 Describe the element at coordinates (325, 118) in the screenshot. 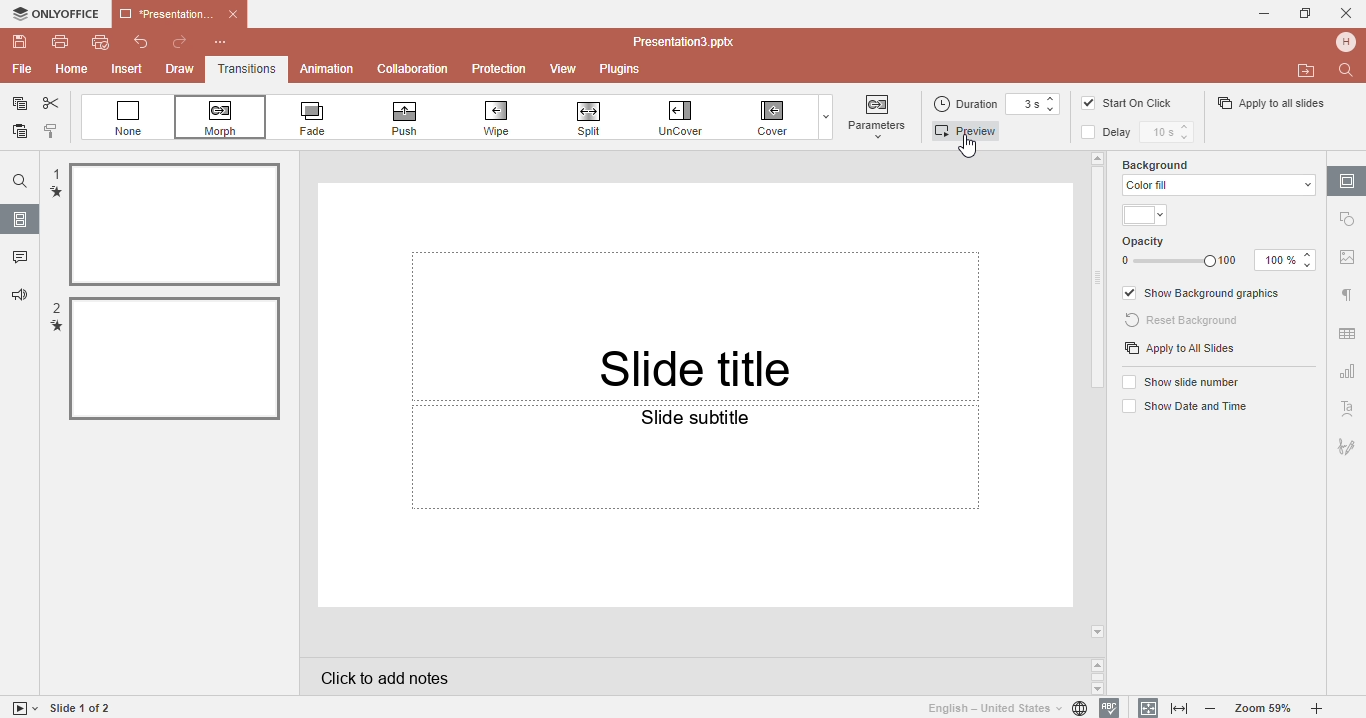

I see `Fade` at that location.